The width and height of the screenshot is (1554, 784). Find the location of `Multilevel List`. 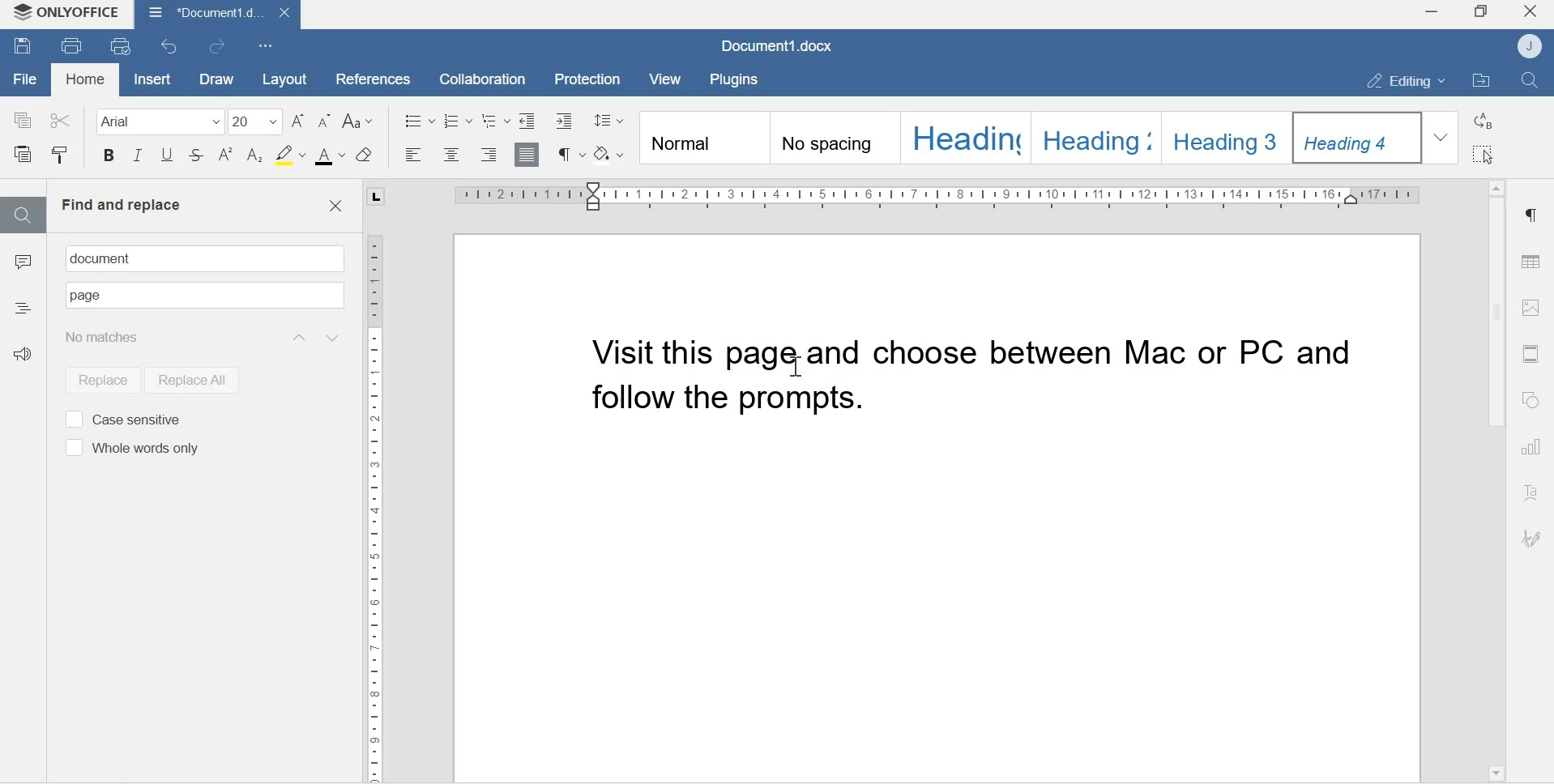

Multilevel List is located at coordinates (495, 120).